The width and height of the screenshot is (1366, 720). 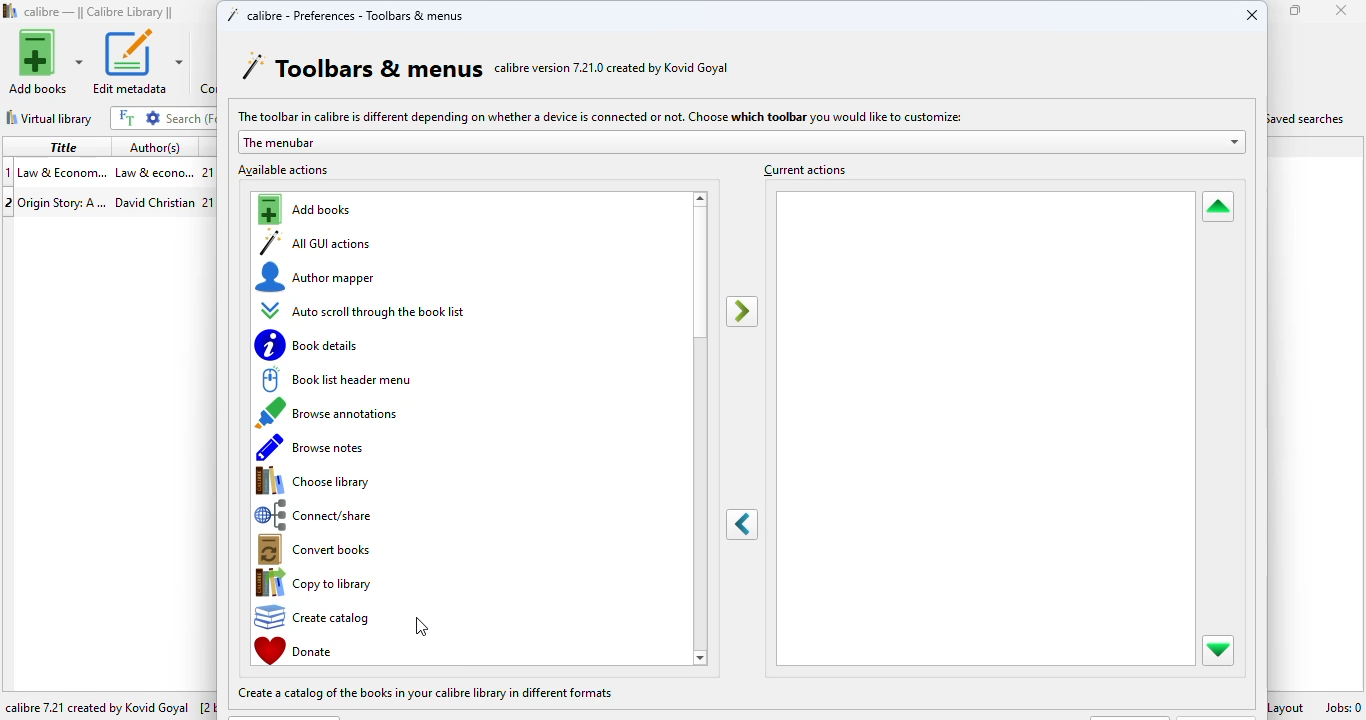 What do you see at coordinates (49, 118) in the screenshot?
I see `virtual library` at bounding box center [49, 118].